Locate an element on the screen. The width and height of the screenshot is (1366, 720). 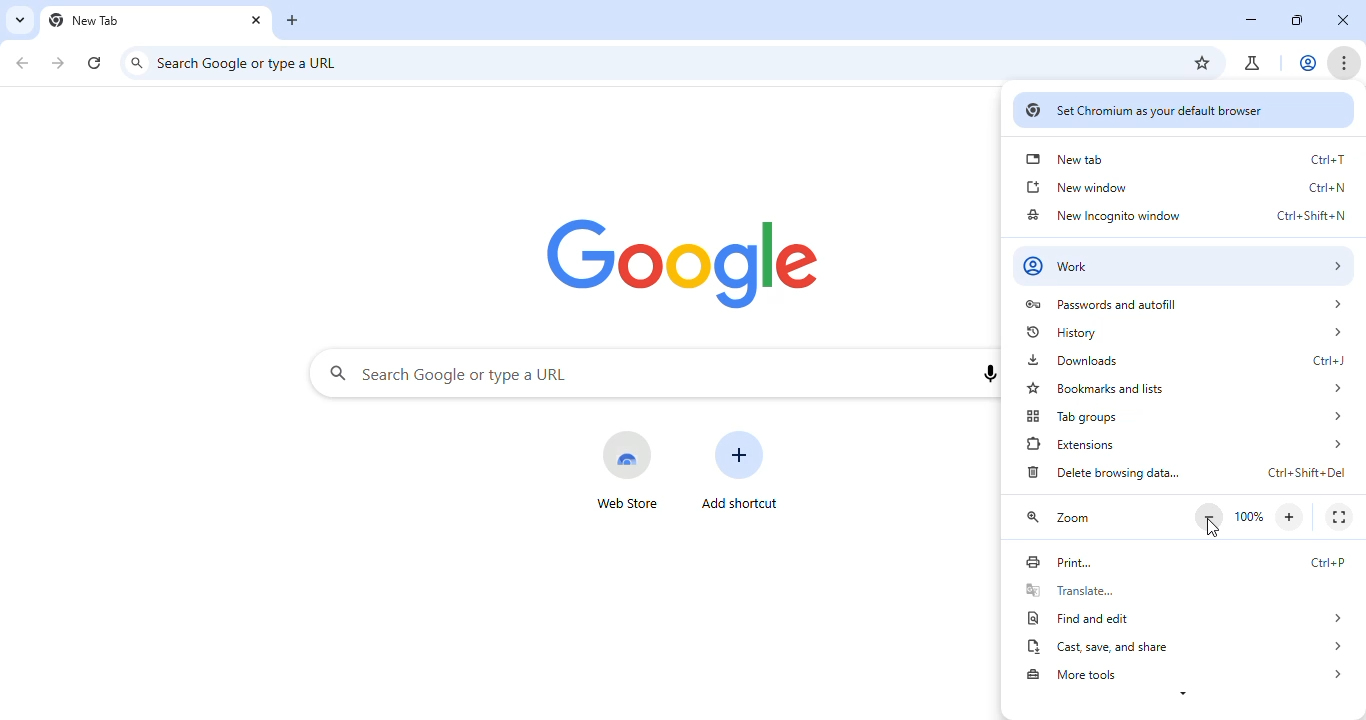
fullscreen is located at coordinates (1337, 517).